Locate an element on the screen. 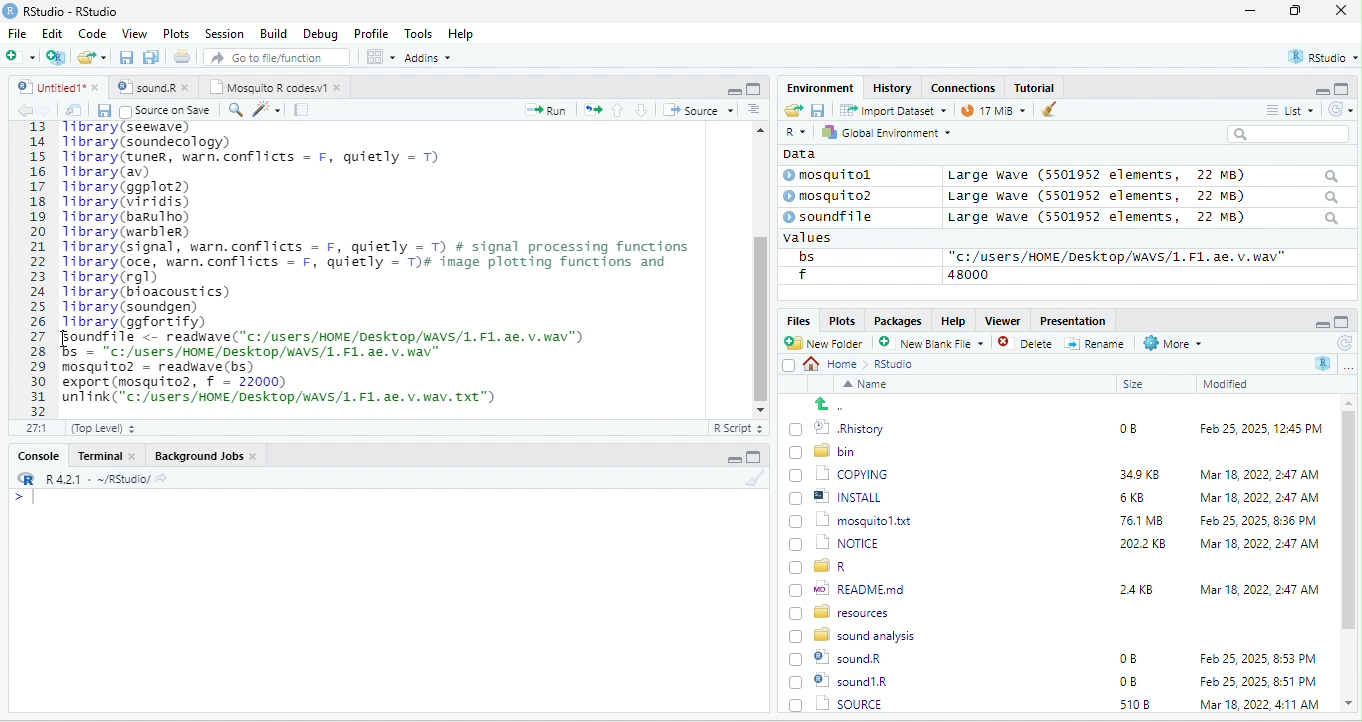 The image size is (1362, 722). syntax is located at coordinates (20, 500).